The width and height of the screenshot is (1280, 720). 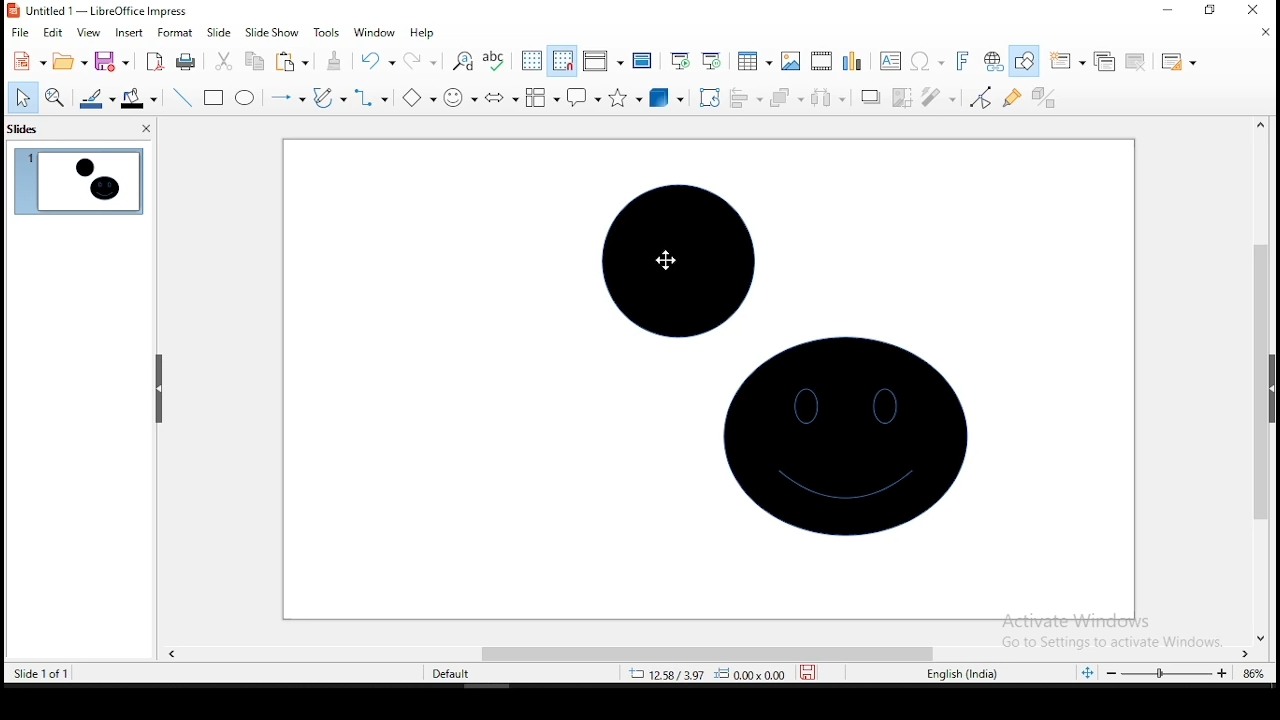 I want to click on Shadow, so click(x=869, y=97).